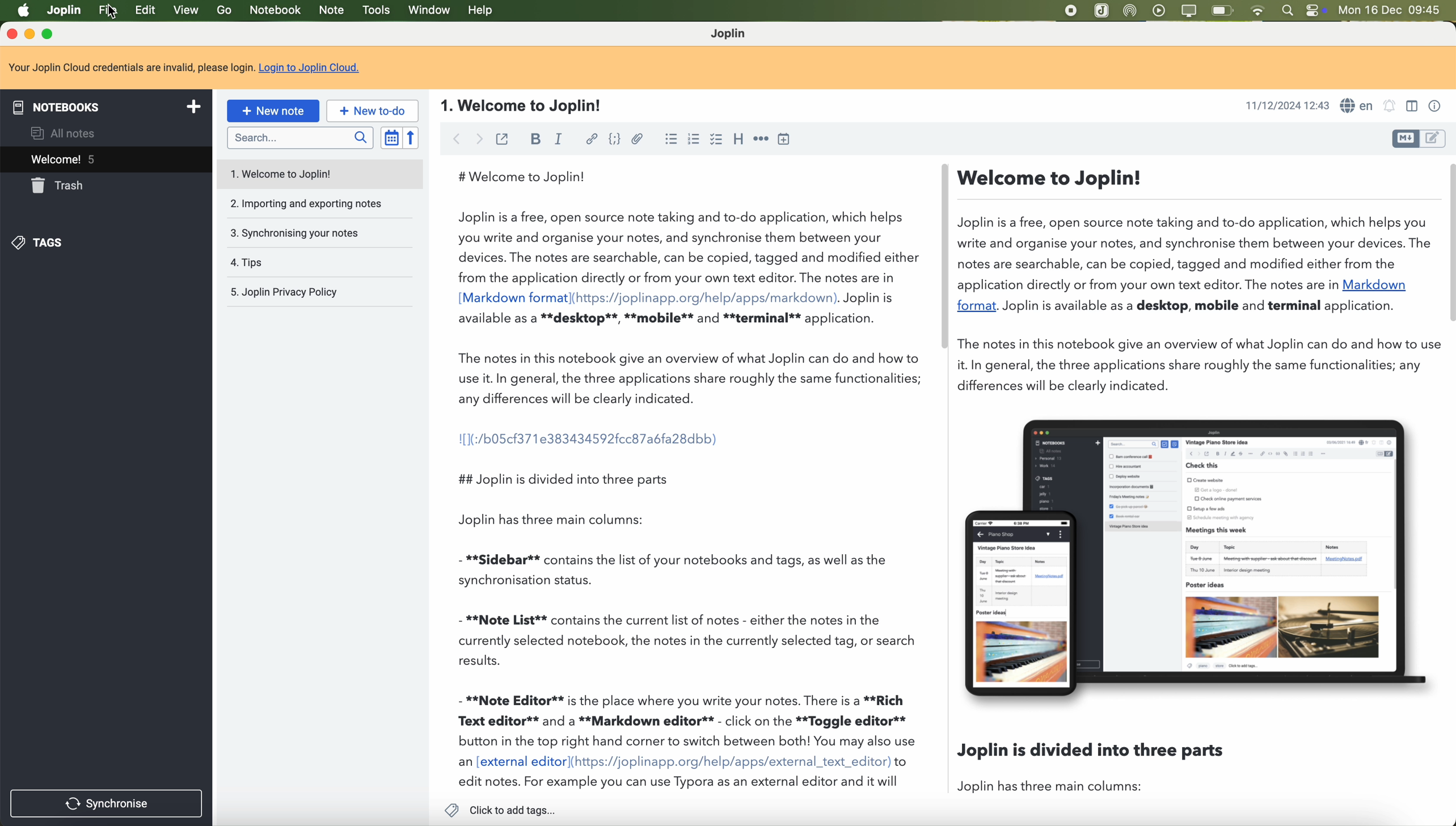  What do you see at coordinates (503, 139) in the screenshot?
I see `toggle external editing` at bounding box center [503, 139].